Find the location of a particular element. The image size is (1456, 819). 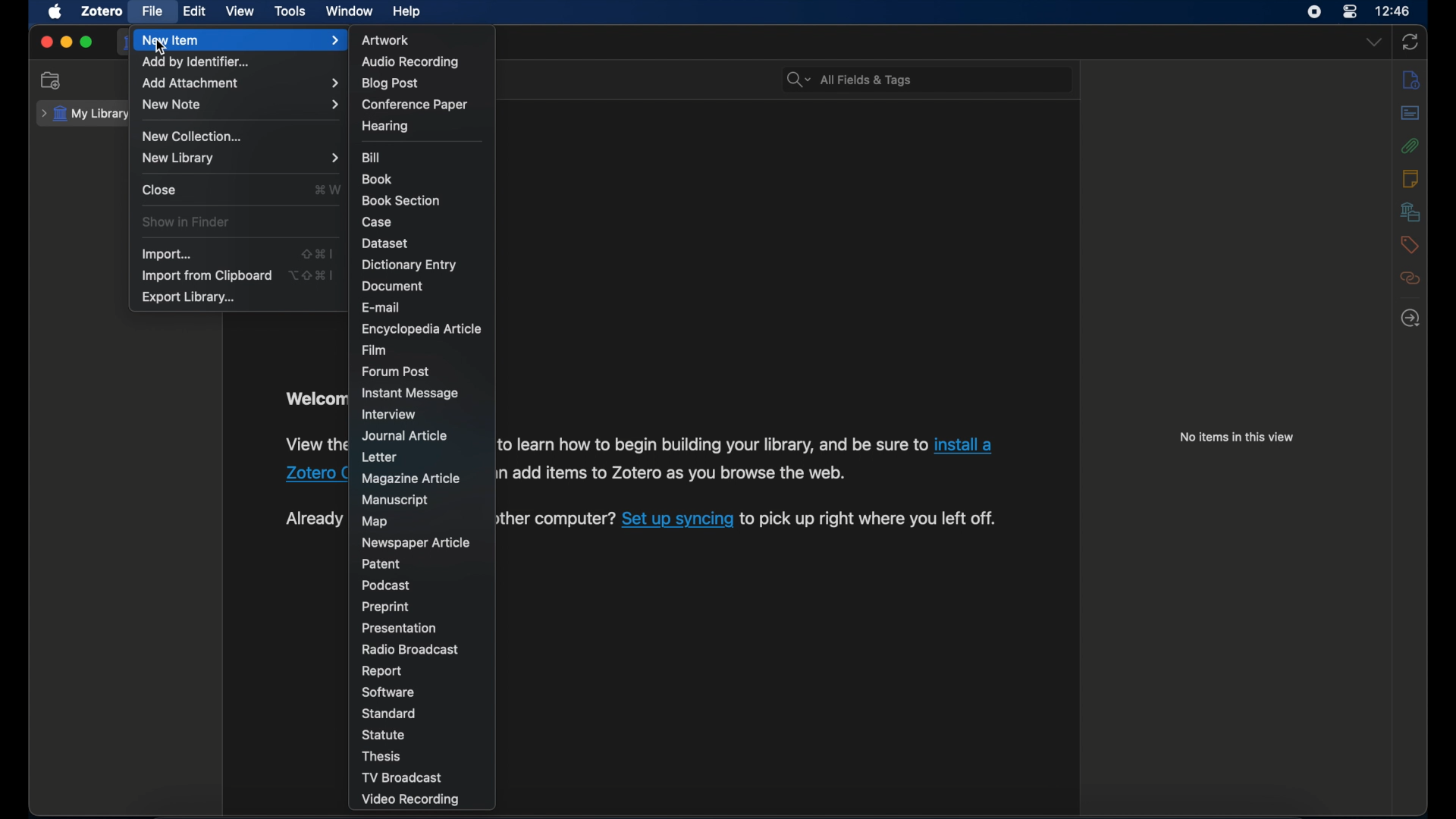

standard is located at coordinates (391, 713).